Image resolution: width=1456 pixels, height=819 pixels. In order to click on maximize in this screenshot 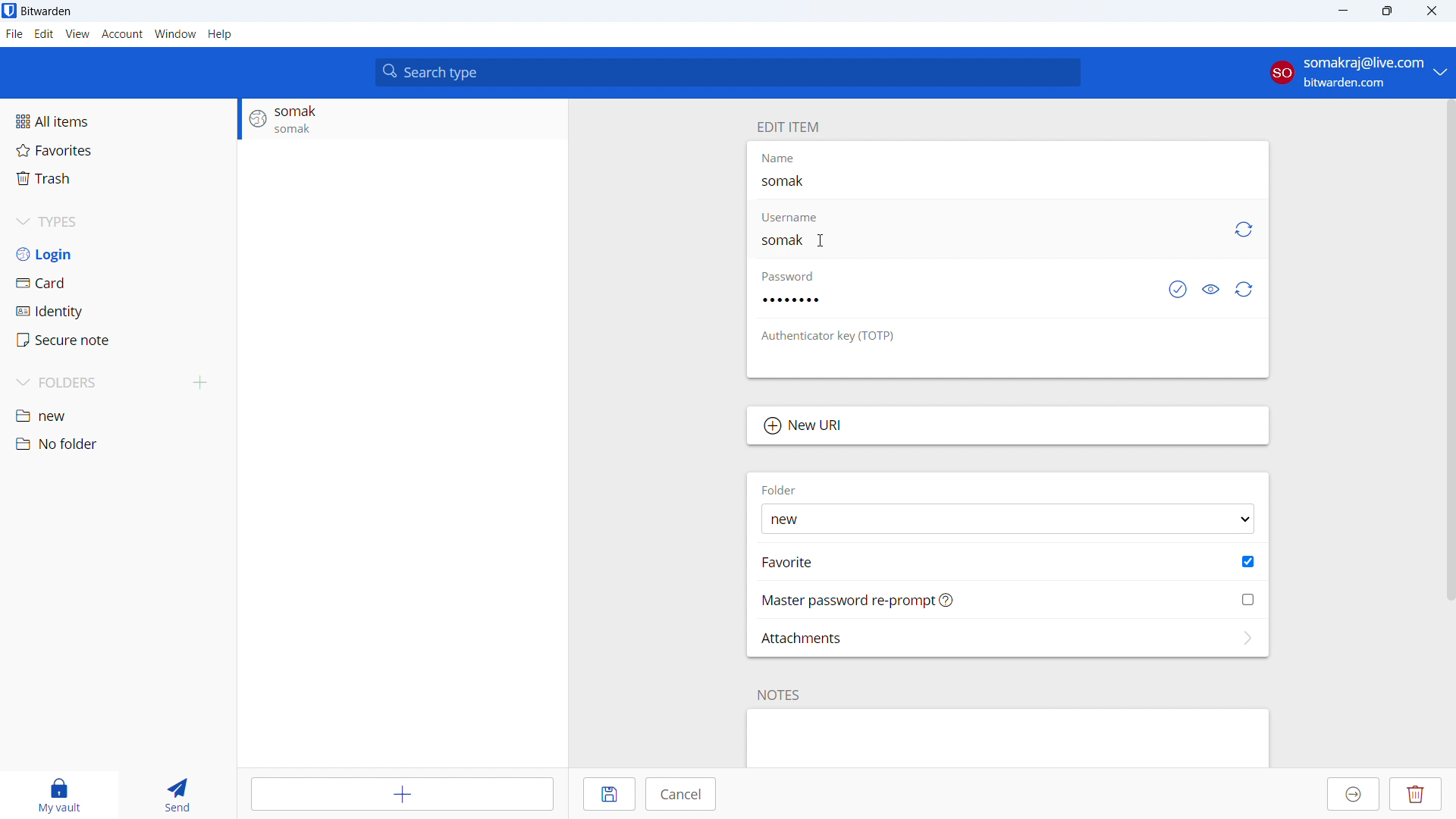, I will do `click(1386, 11)`.